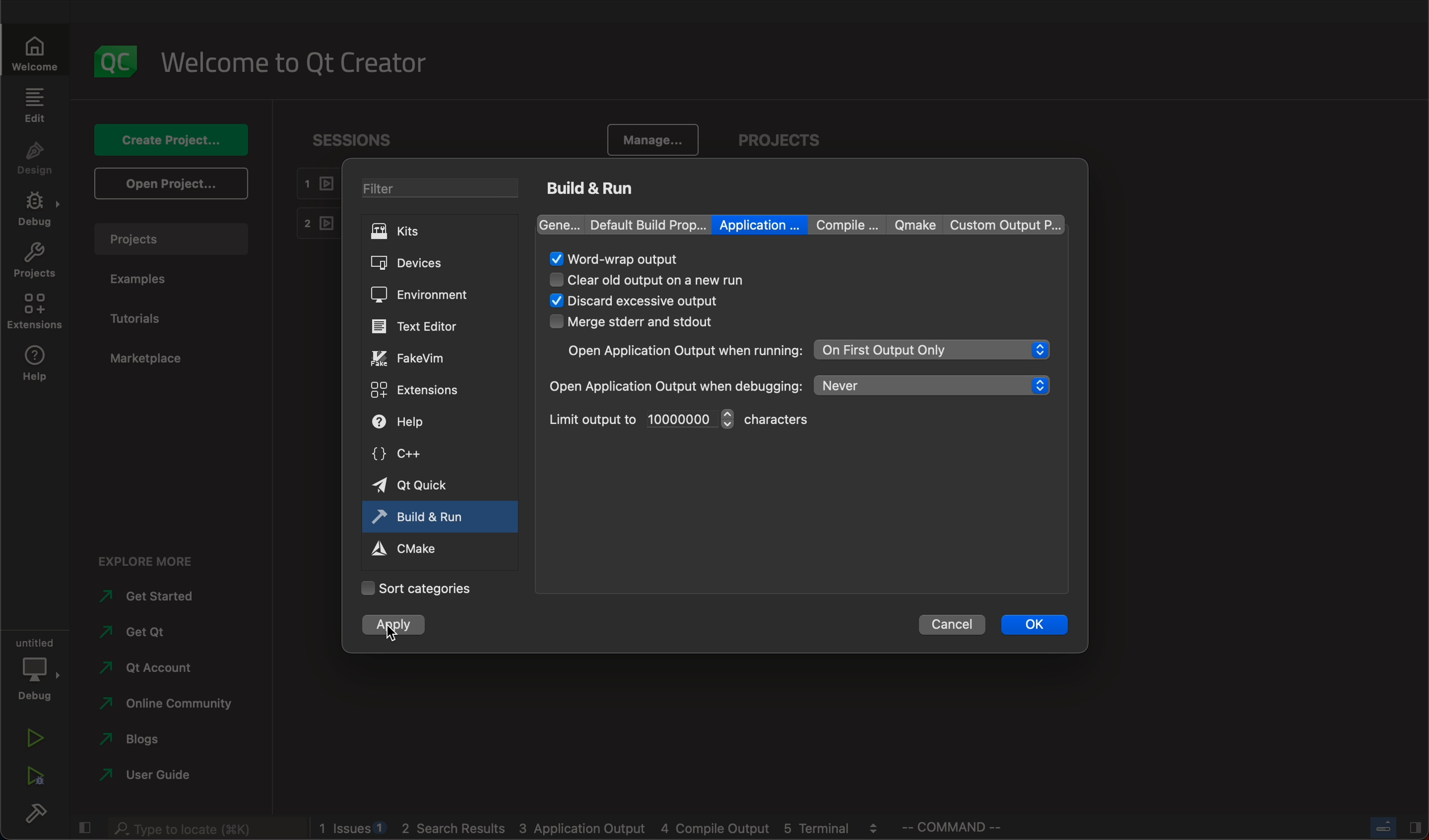  I want to click on close slide bar, so click(1394, 826).